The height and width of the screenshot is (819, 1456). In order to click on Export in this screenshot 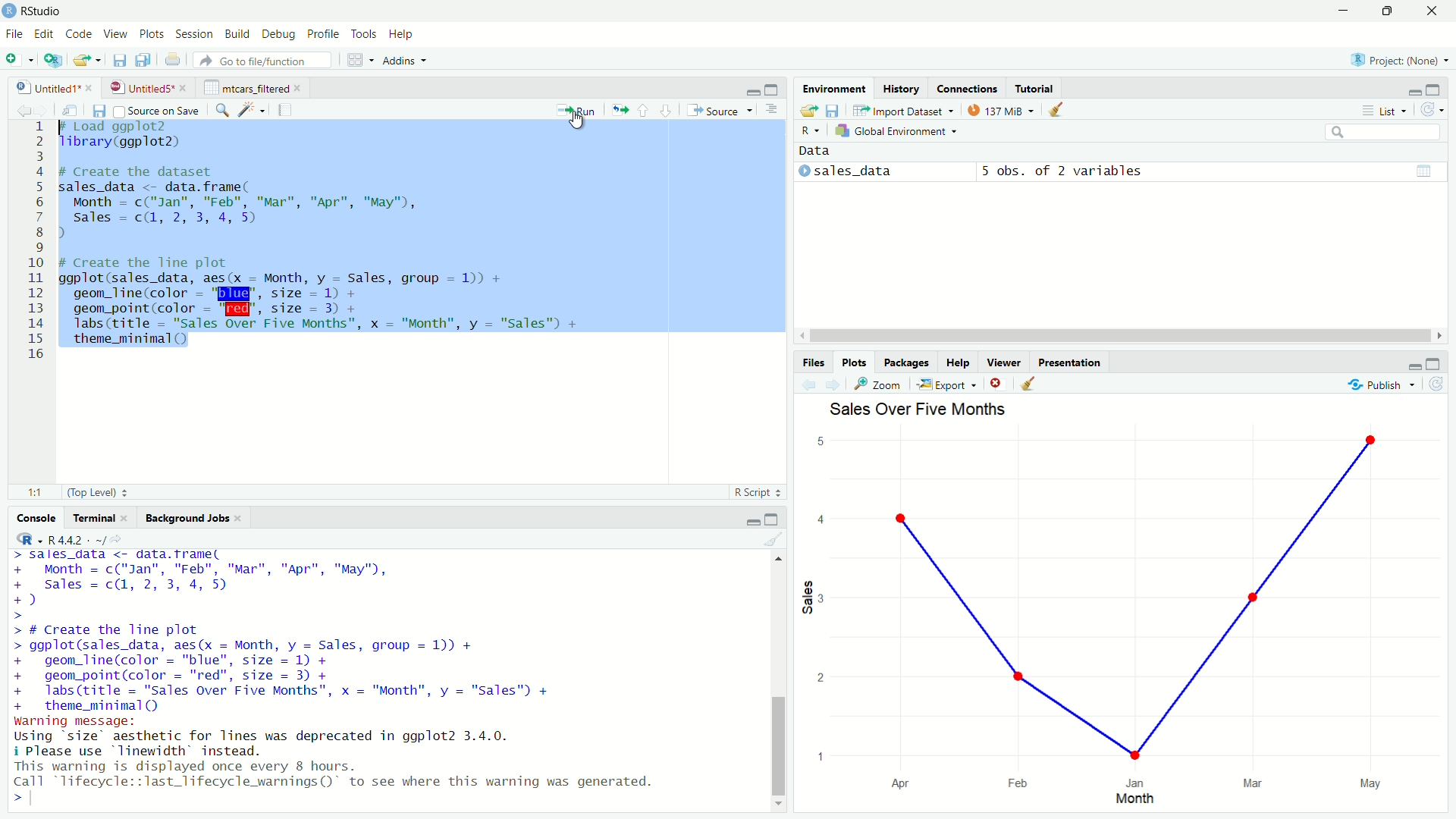, I will do `click(946, 385)`.